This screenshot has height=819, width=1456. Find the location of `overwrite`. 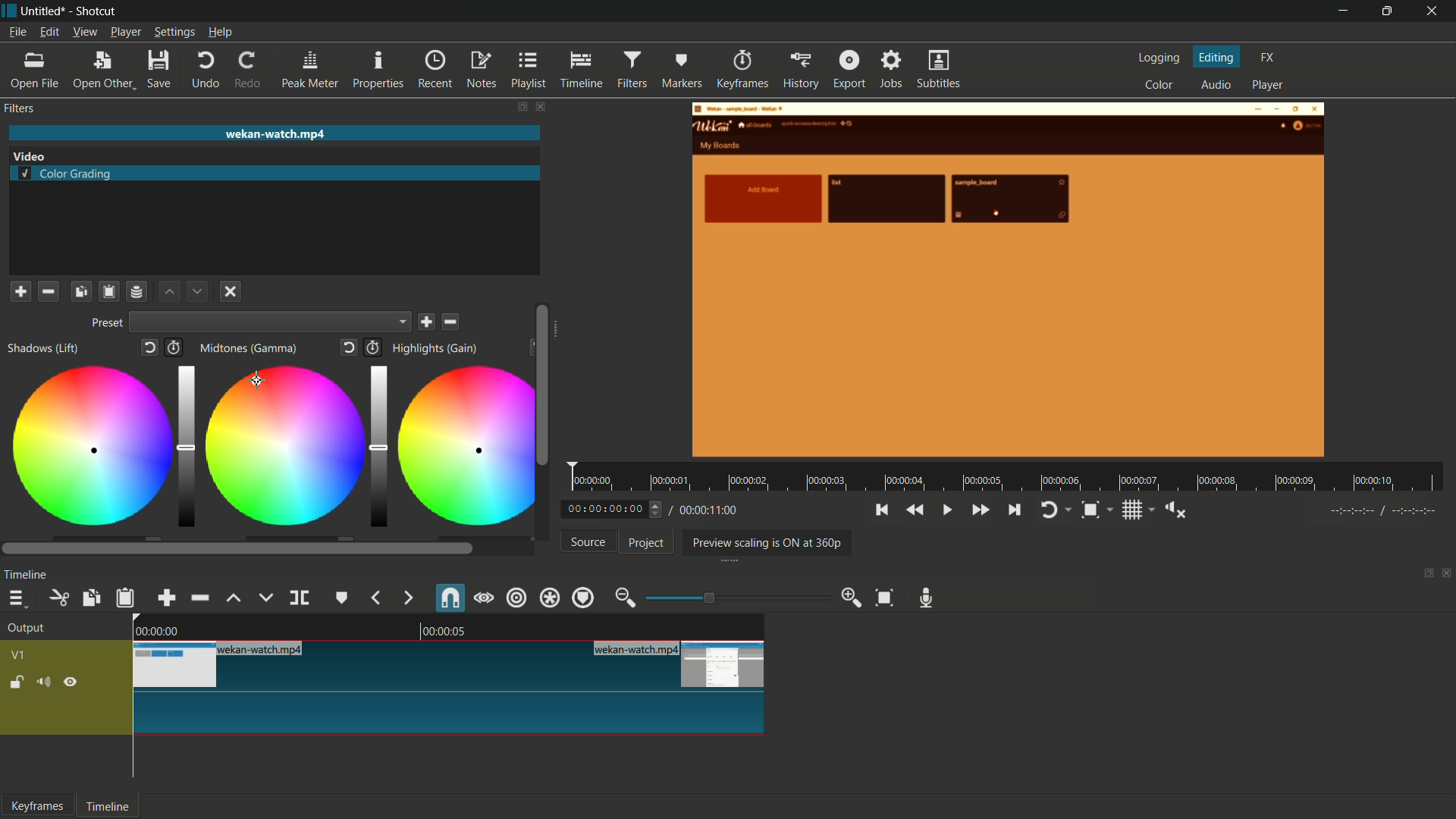

overwrite is located at coordinates (265, 597).